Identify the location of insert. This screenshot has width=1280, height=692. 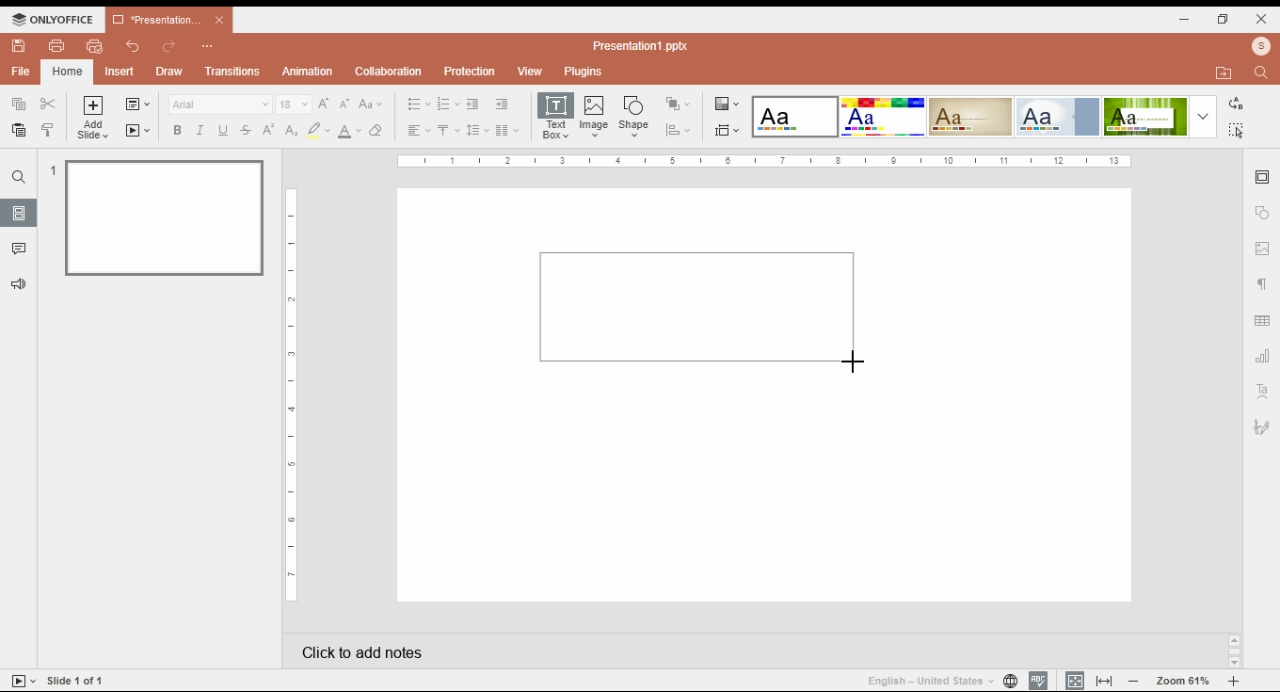
(122, 71).